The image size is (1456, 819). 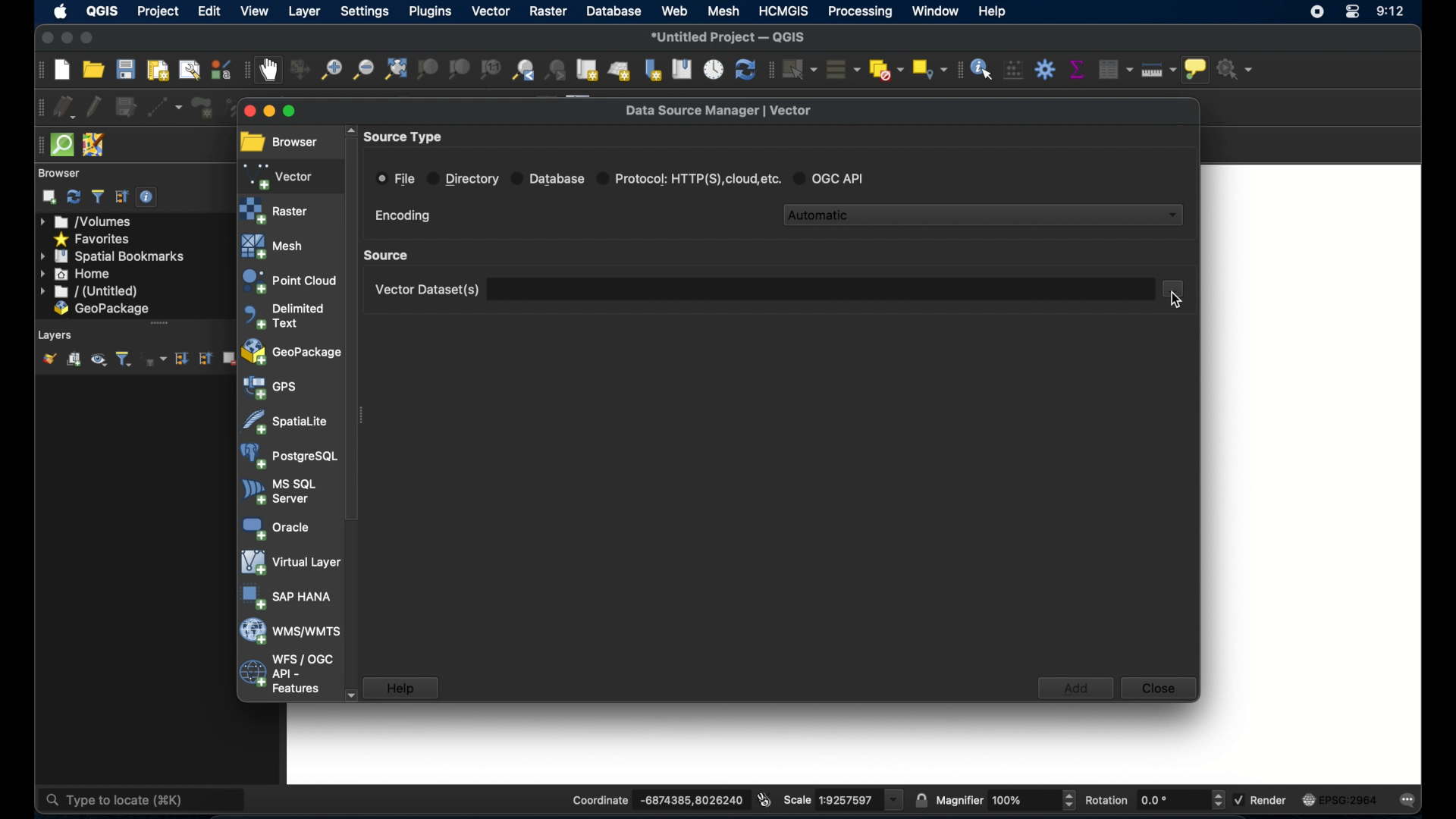 What do you see at coordinates (77, 274) in the screenshot?
I see `home` at bounding box center [77, 274].